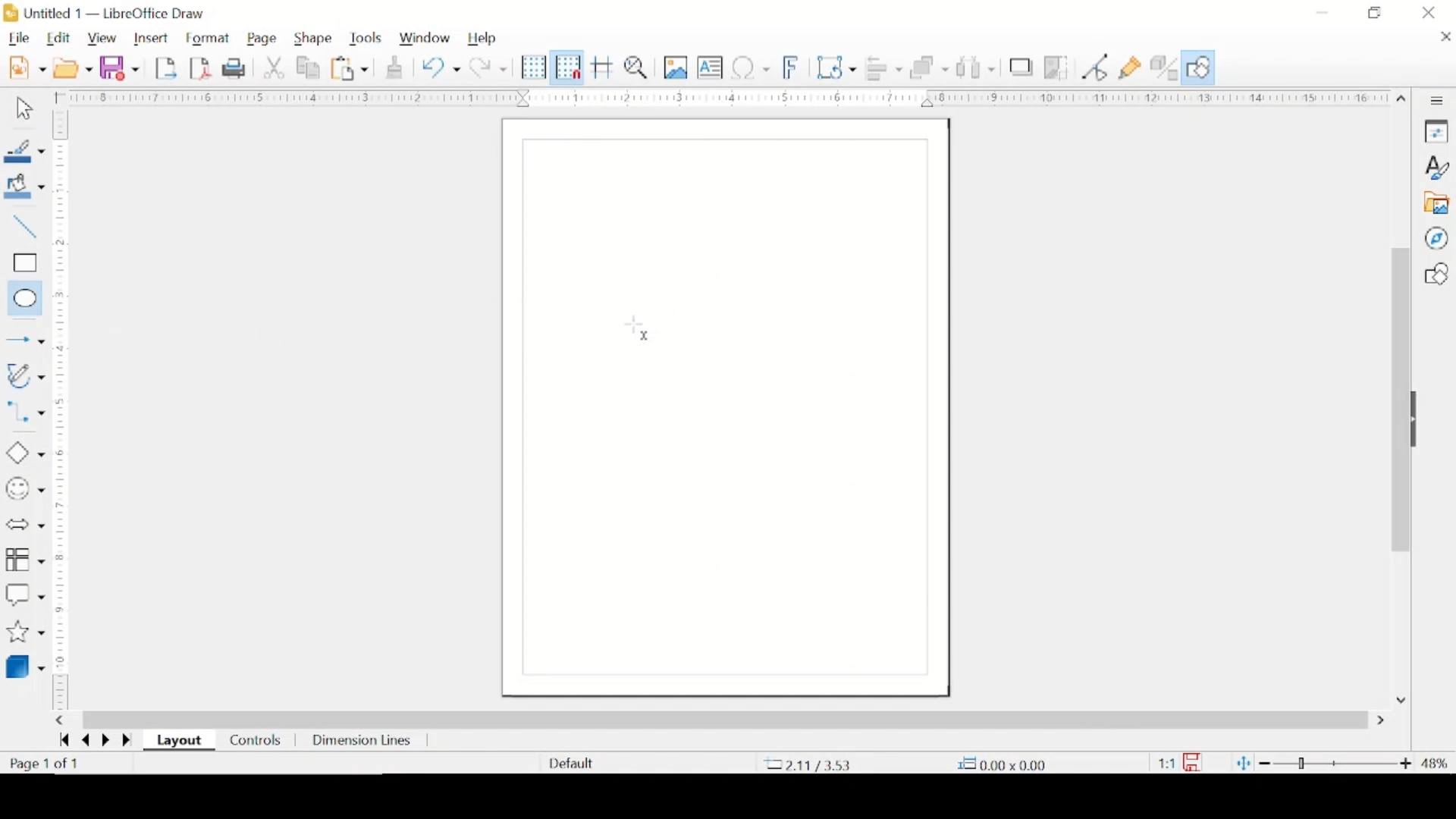 The image size is (1456, 819). What do you see at coordinates (61, 38) in the screenshot?
I see `edit` at bounding box center [61, 38].